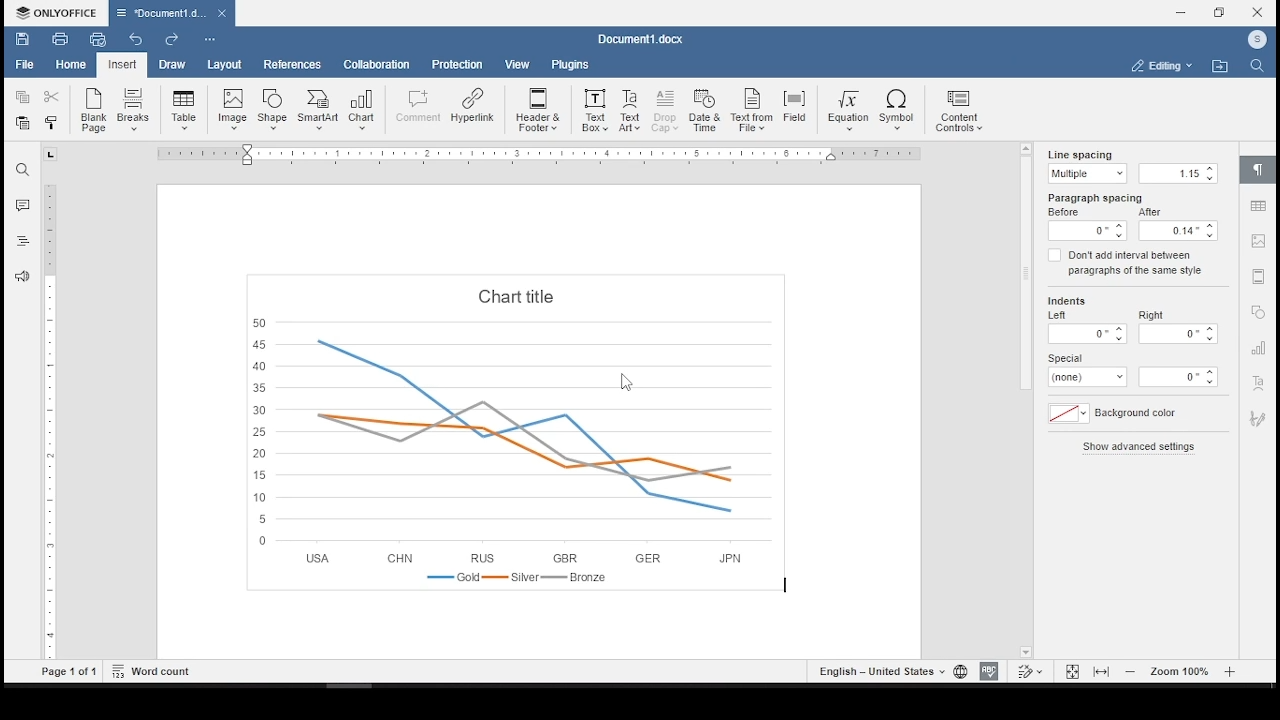 Image resolution: width=1280 pixels, height=720 pixels. I want to click on scrollbar, so click(50, 422).